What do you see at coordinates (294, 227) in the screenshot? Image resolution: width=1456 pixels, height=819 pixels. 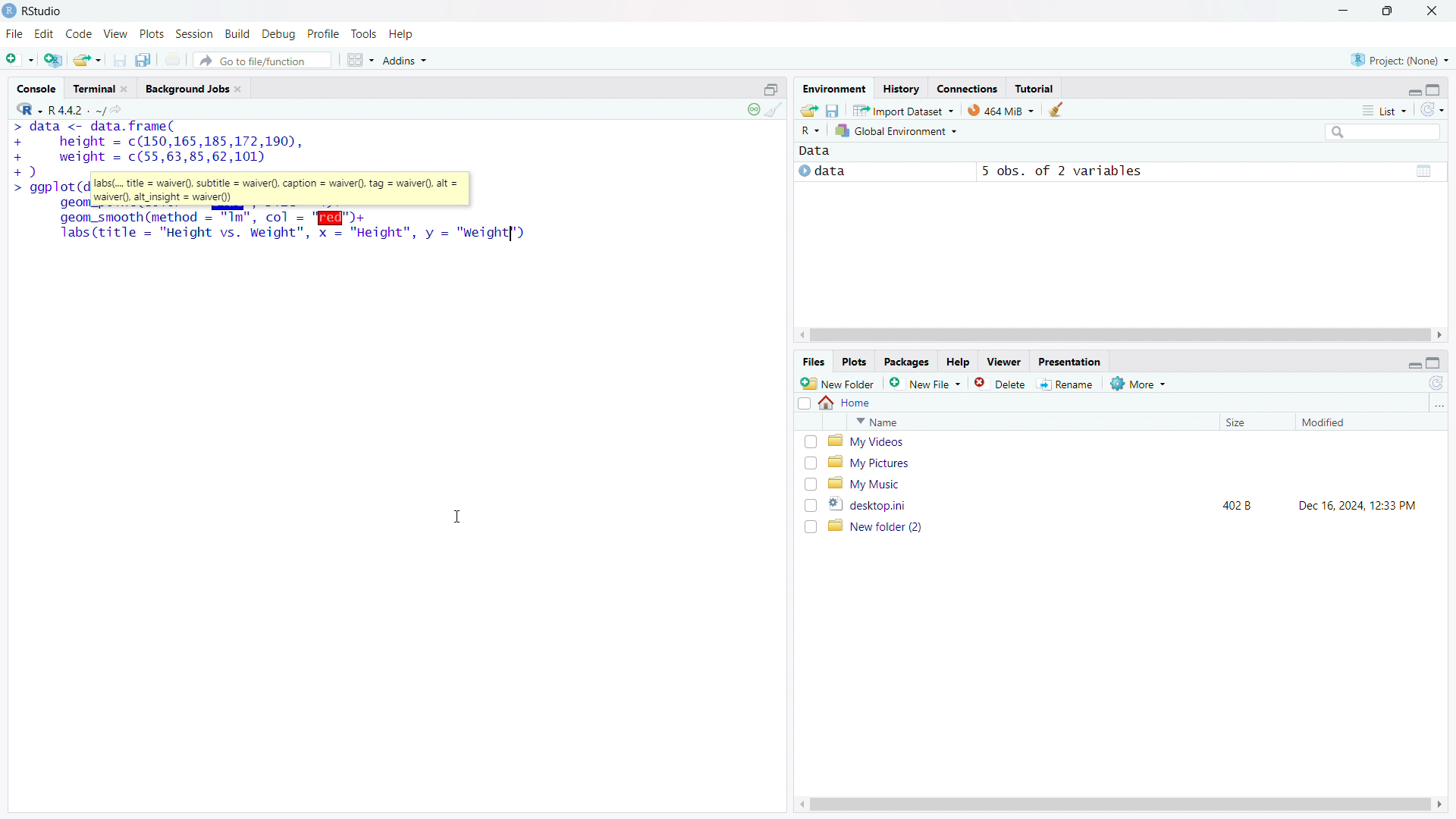 I see `geom_smooth(method = "Im", col = "[gC")+Tabs(title = "Height vs. Weight", x = "Height", y = "weight")` at bounding box center [294, 227].